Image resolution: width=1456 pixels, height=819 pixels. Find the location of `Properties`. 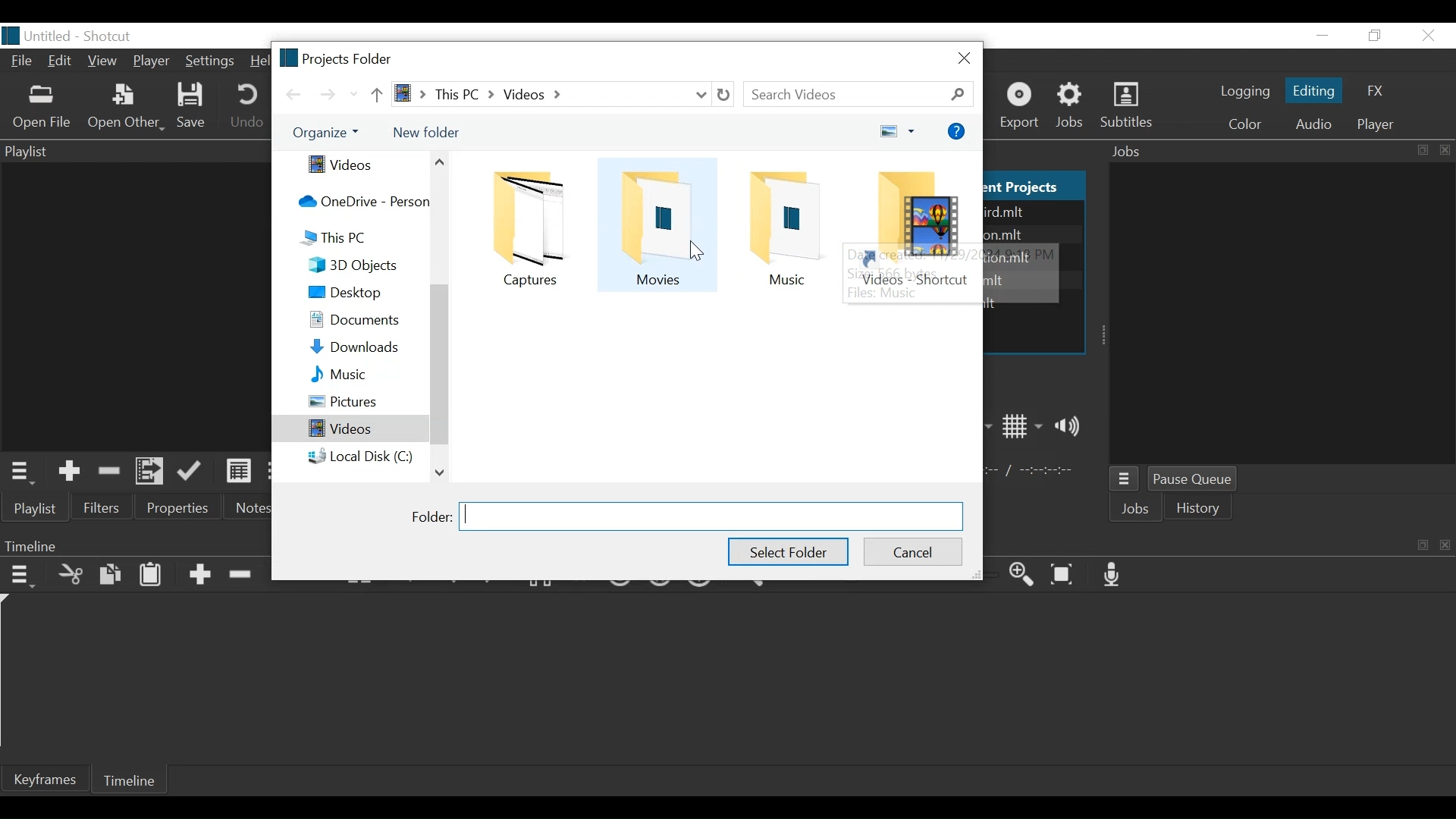

Properties is located at coordinates (179, 507).